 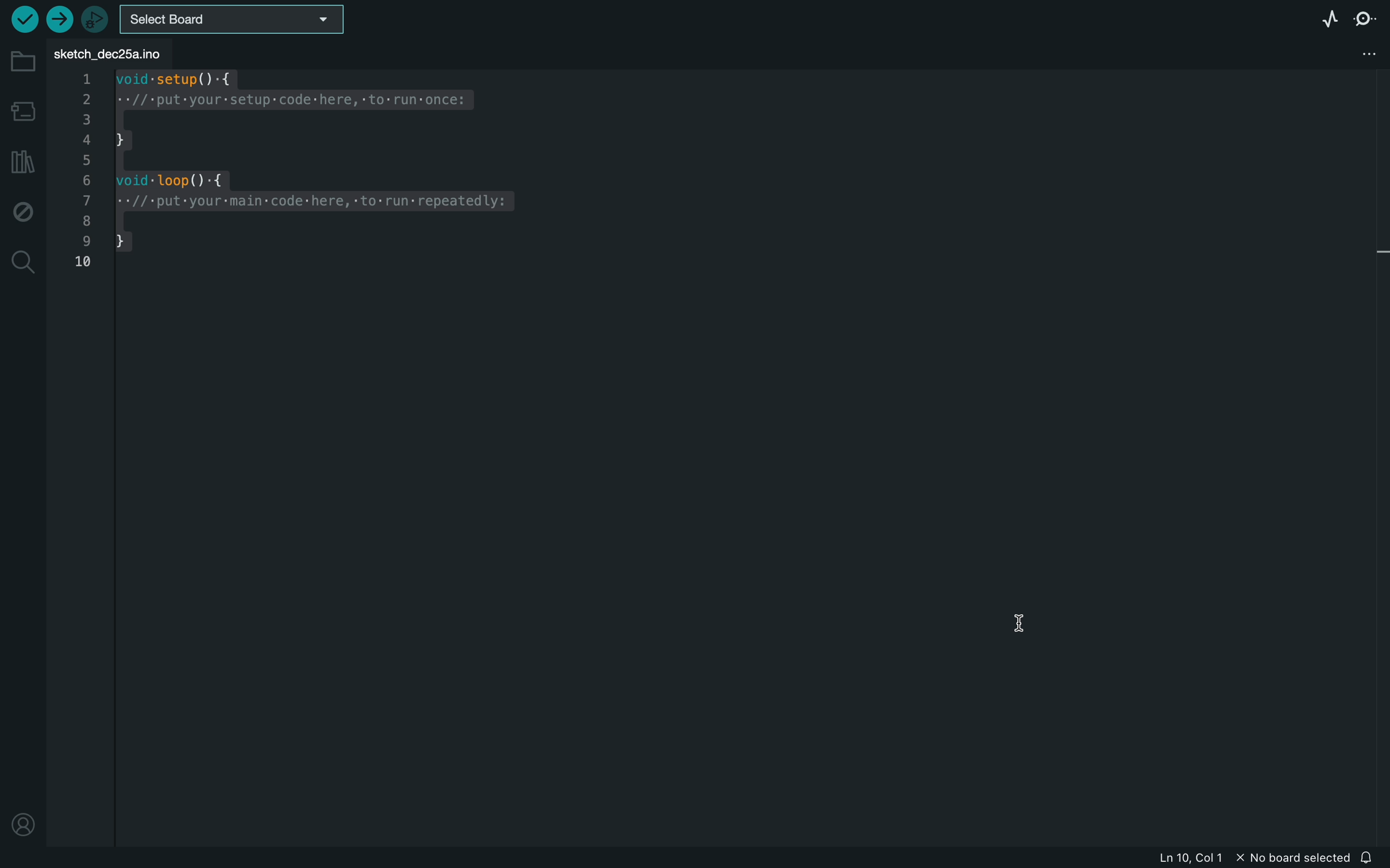 What do you see at coordinates (59, 20) in the screenshot?
I see `upload` at bounding box center [59, 20].